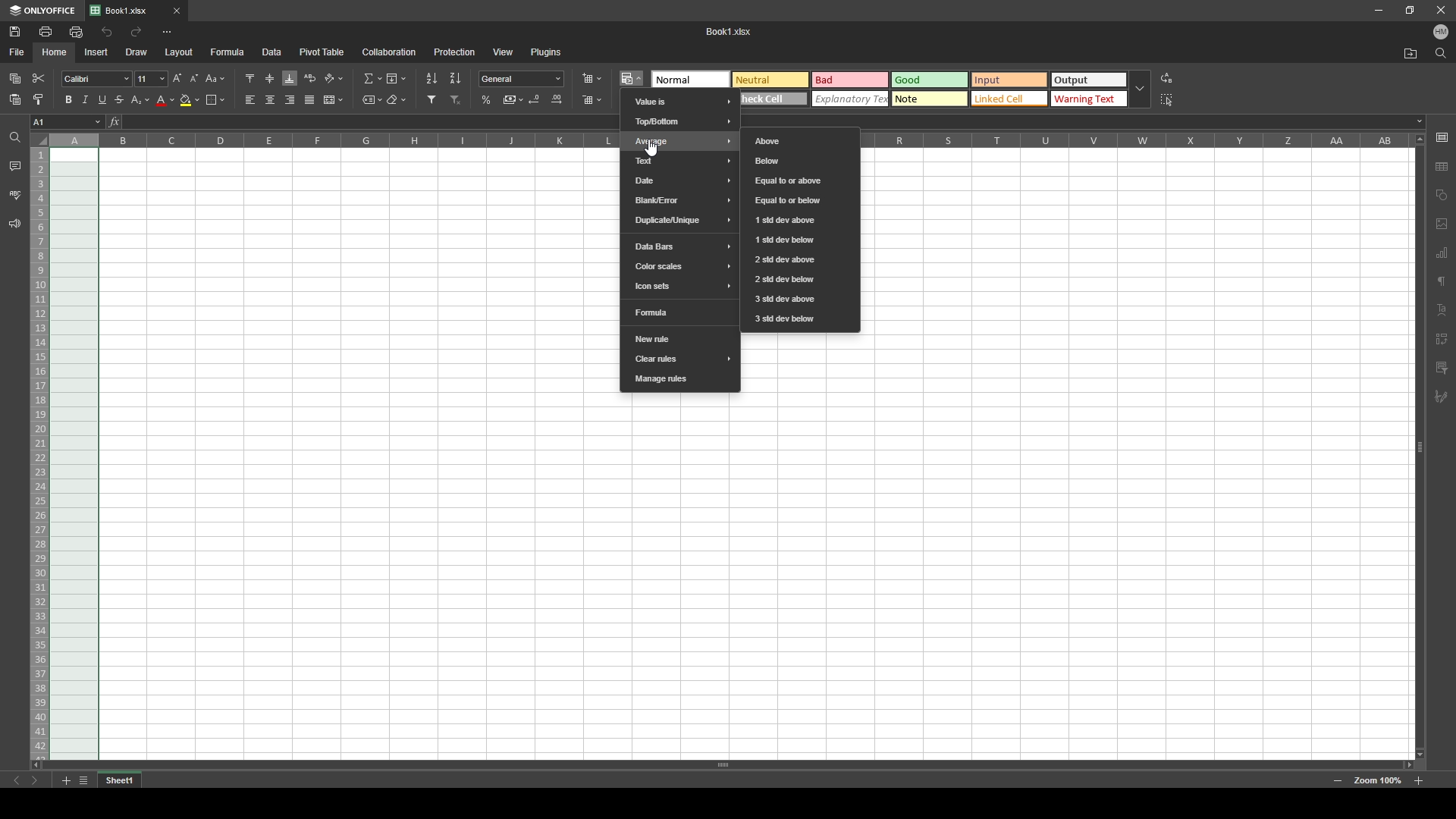  I want to click on cell setting, so click(1442, 138).